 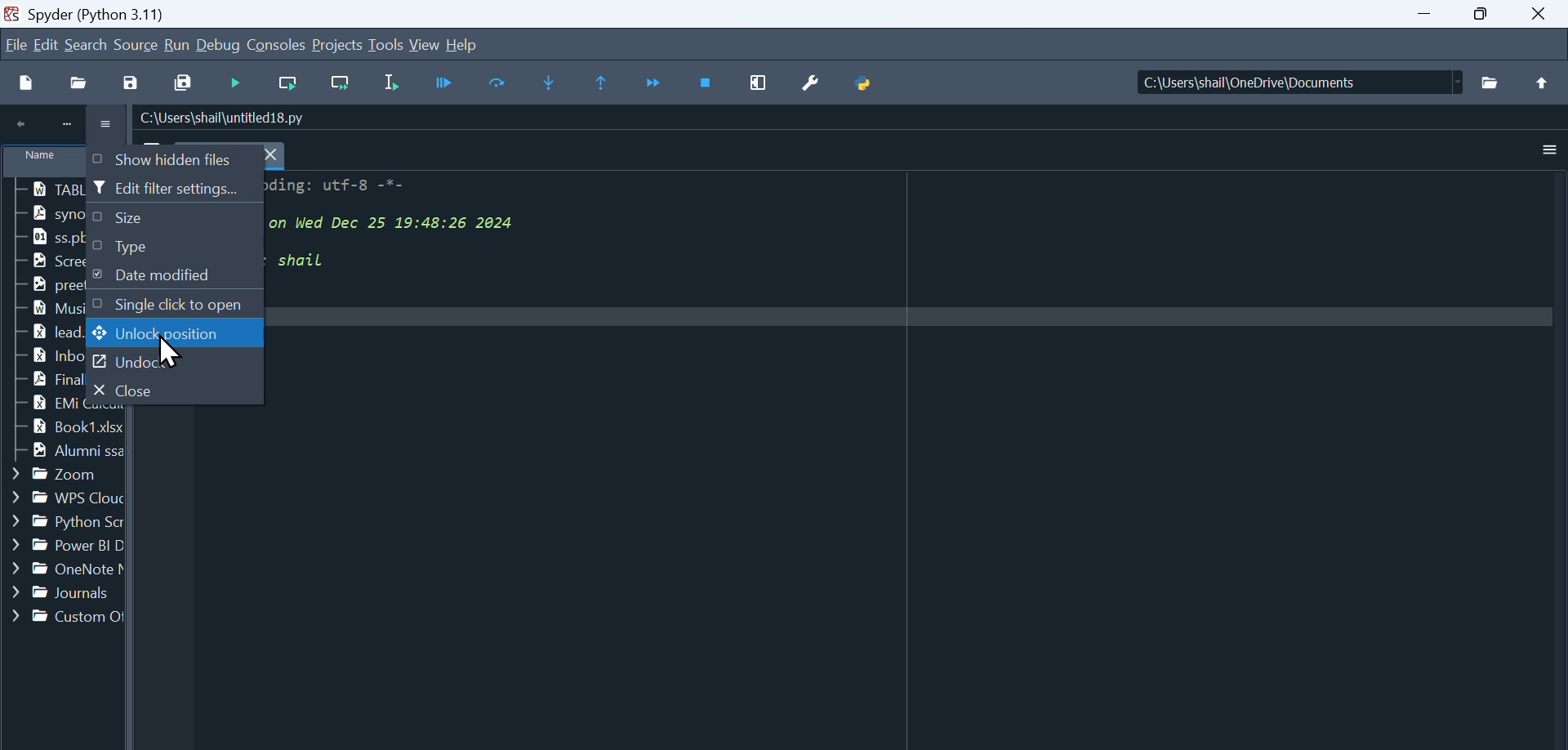 I want to click on Screenshot.., so click(x=45, y=261).